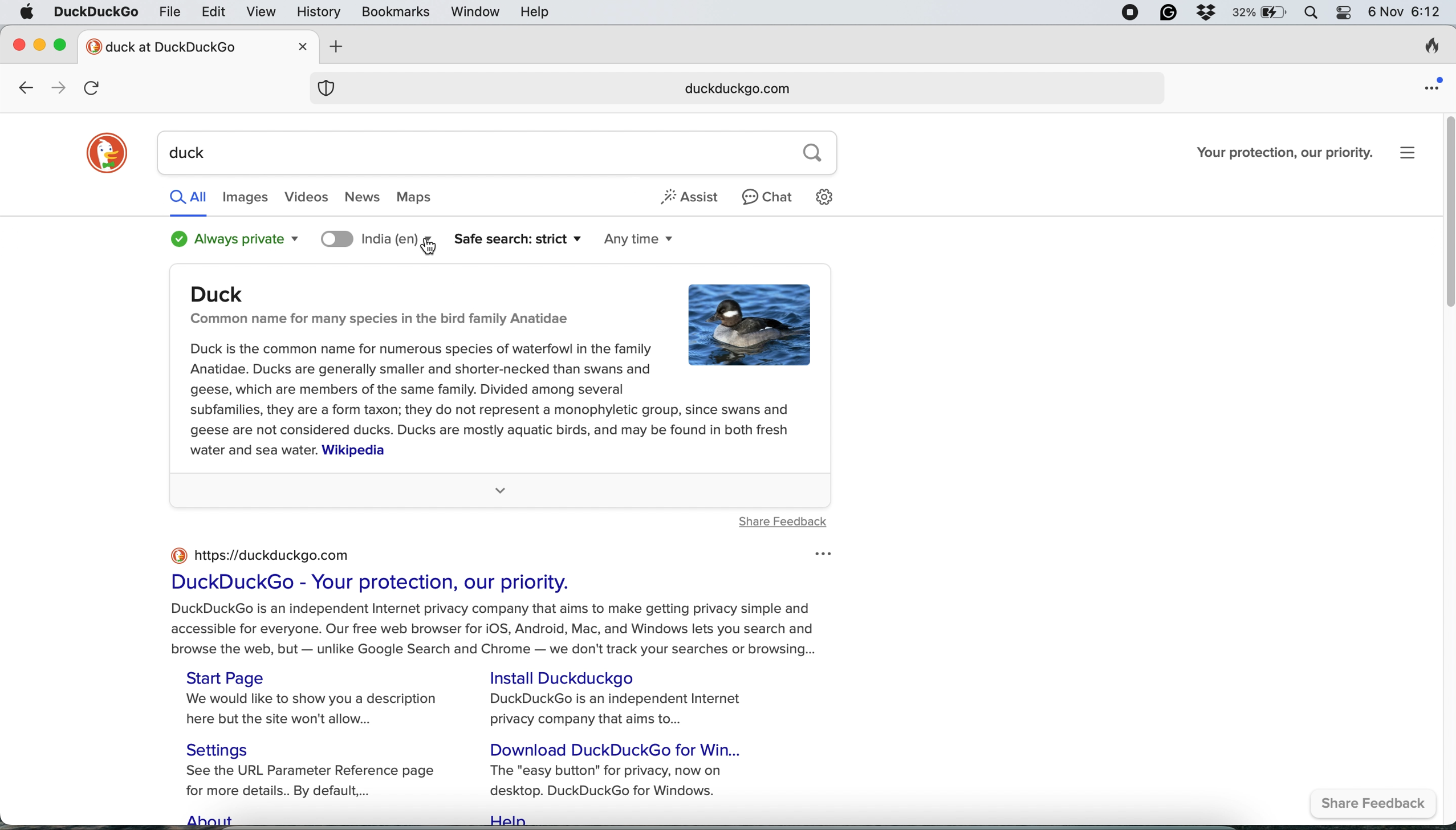  I want to click on refresh, so click(96, 88).